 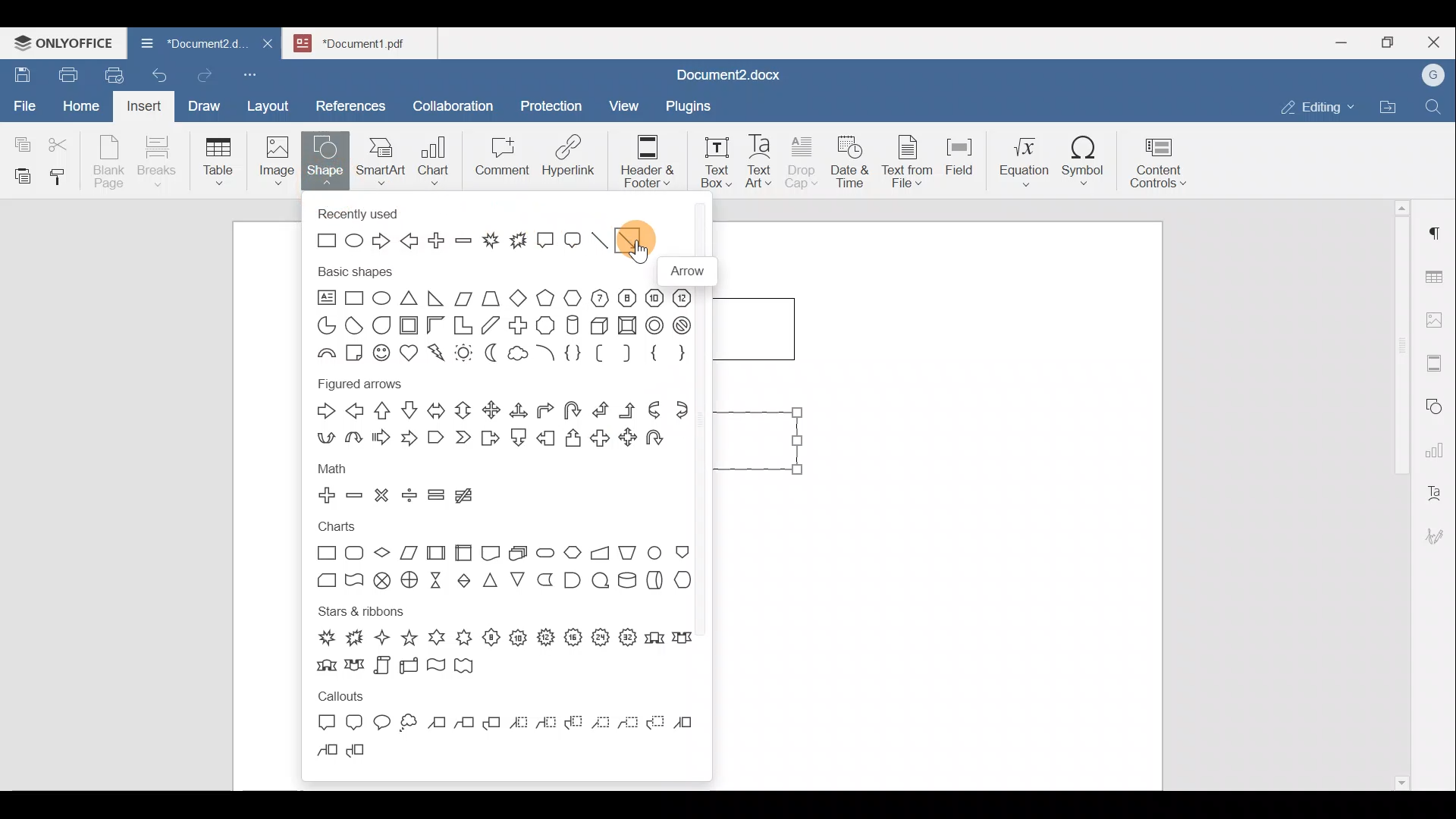 What do you see at coordinates (1028, 161) in the screenshot?
I see `Equation` at bounding box center [1028, 161].